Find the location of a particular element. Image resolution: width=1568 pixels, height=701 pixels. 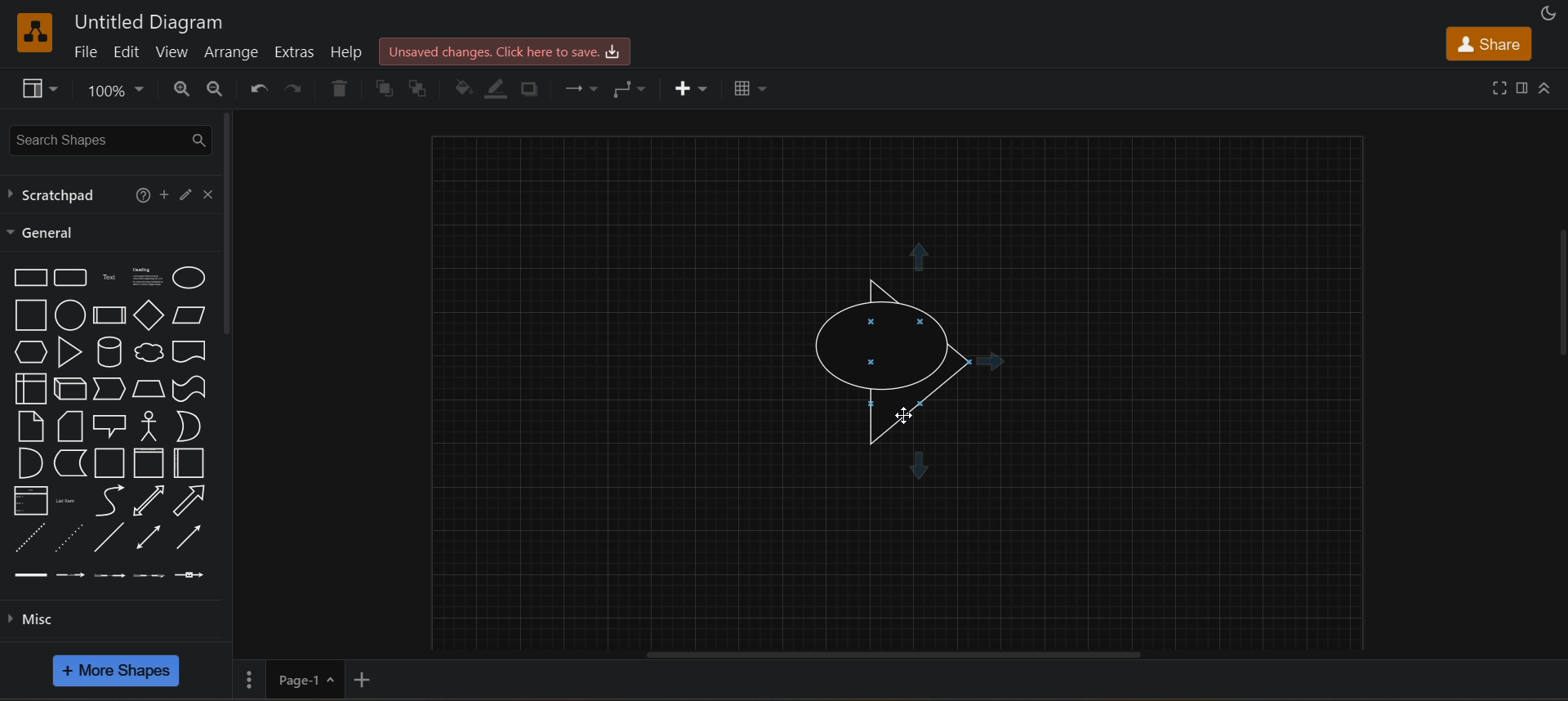

vertical scroll bar is located at coordinates (1558, 293).